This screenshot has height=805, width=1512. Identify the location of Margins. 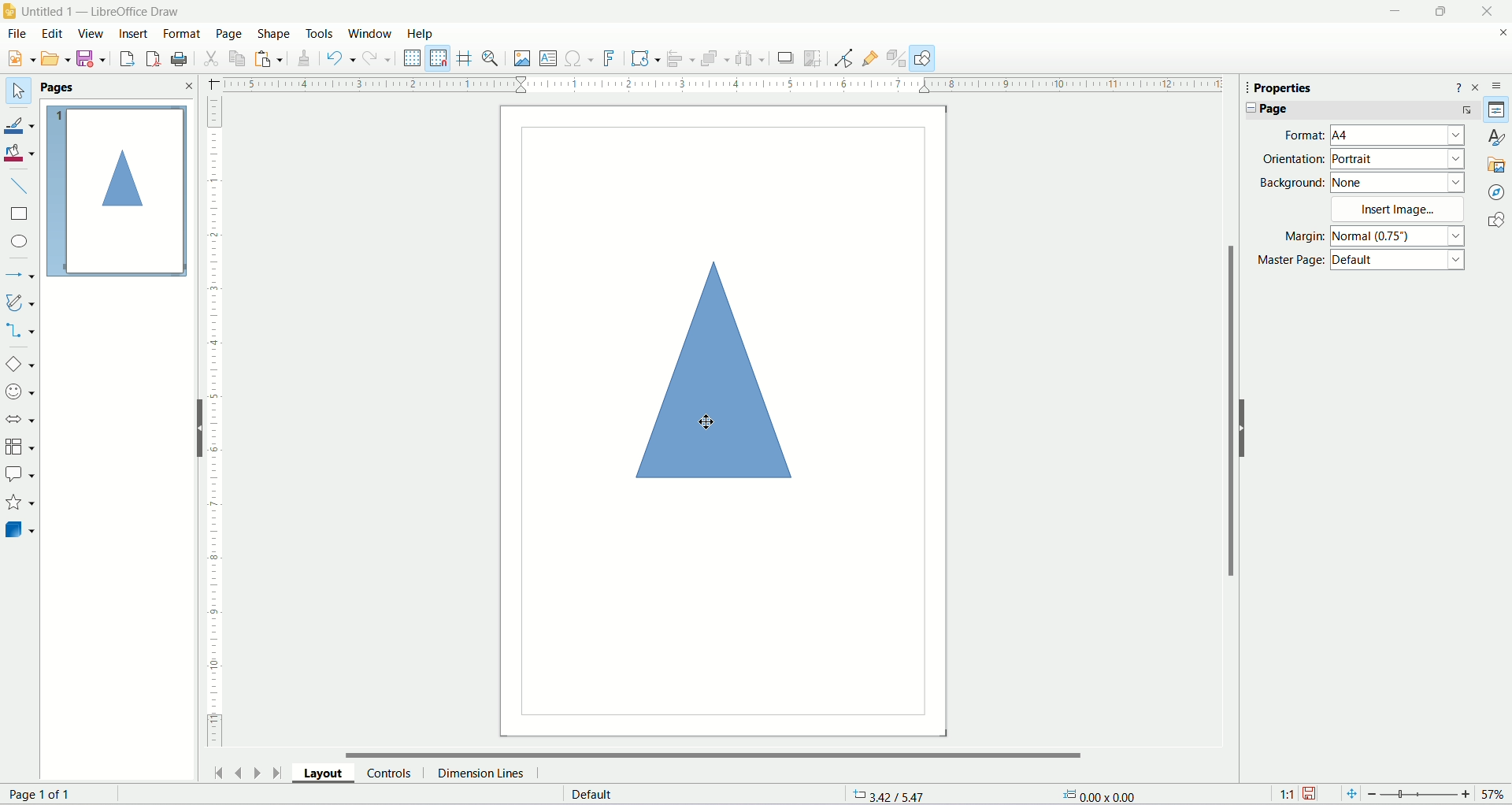
(1300, 235).